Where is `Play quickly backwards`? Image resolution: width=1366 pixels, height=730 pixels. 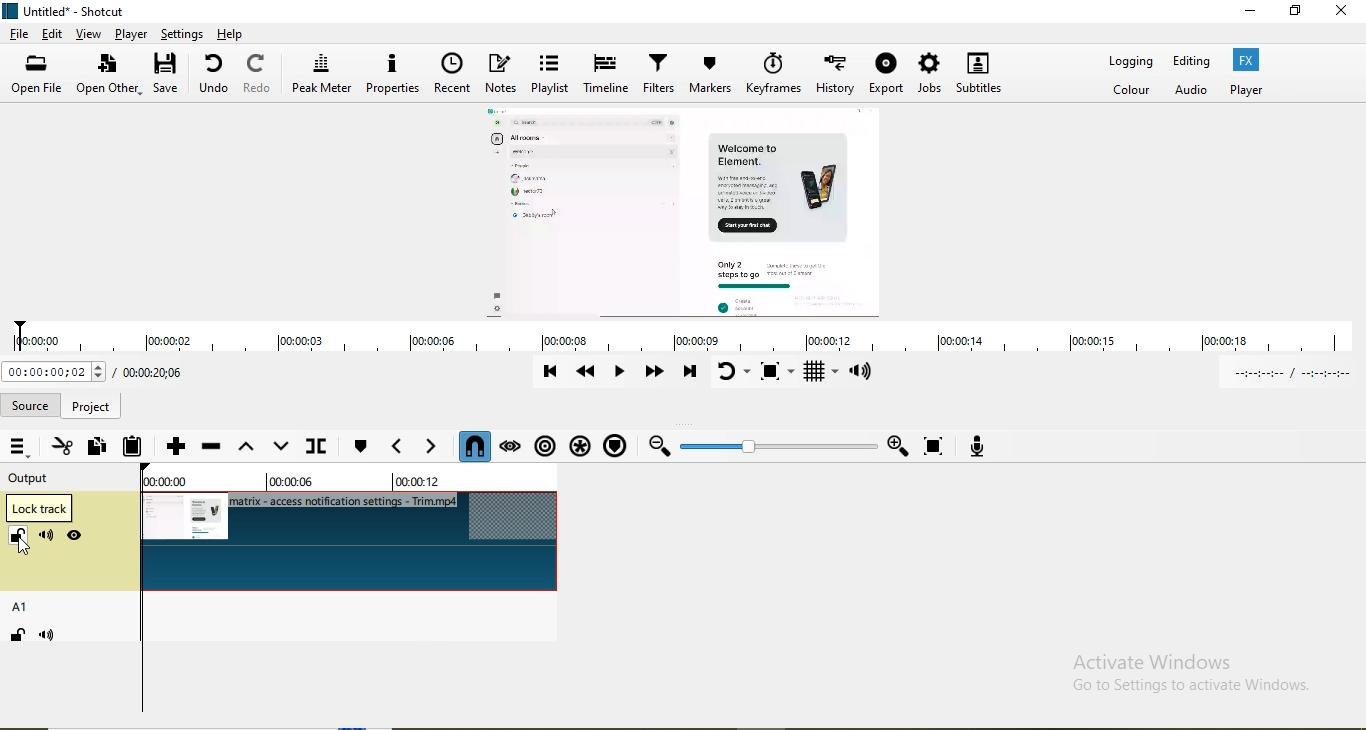 Play quickly backwards is located at coordinates (589, 378).